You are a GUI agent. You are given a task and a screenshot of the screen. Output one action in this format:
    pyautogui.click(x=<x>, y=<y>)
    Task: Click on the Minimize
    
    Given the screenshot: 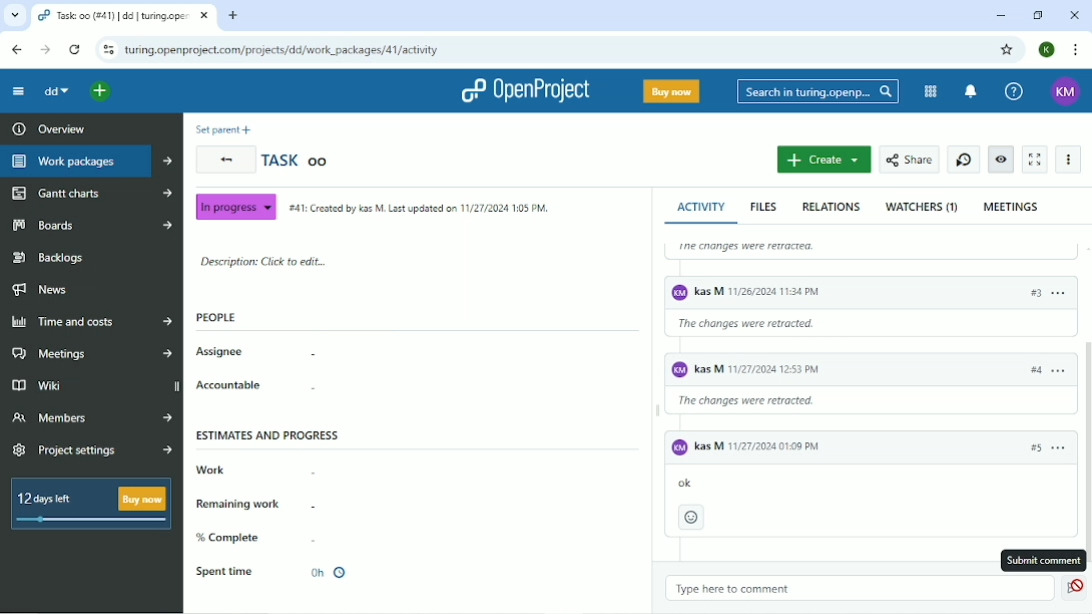 What is the action you would take?
    pyautogui.click(x=999, y=16)
    